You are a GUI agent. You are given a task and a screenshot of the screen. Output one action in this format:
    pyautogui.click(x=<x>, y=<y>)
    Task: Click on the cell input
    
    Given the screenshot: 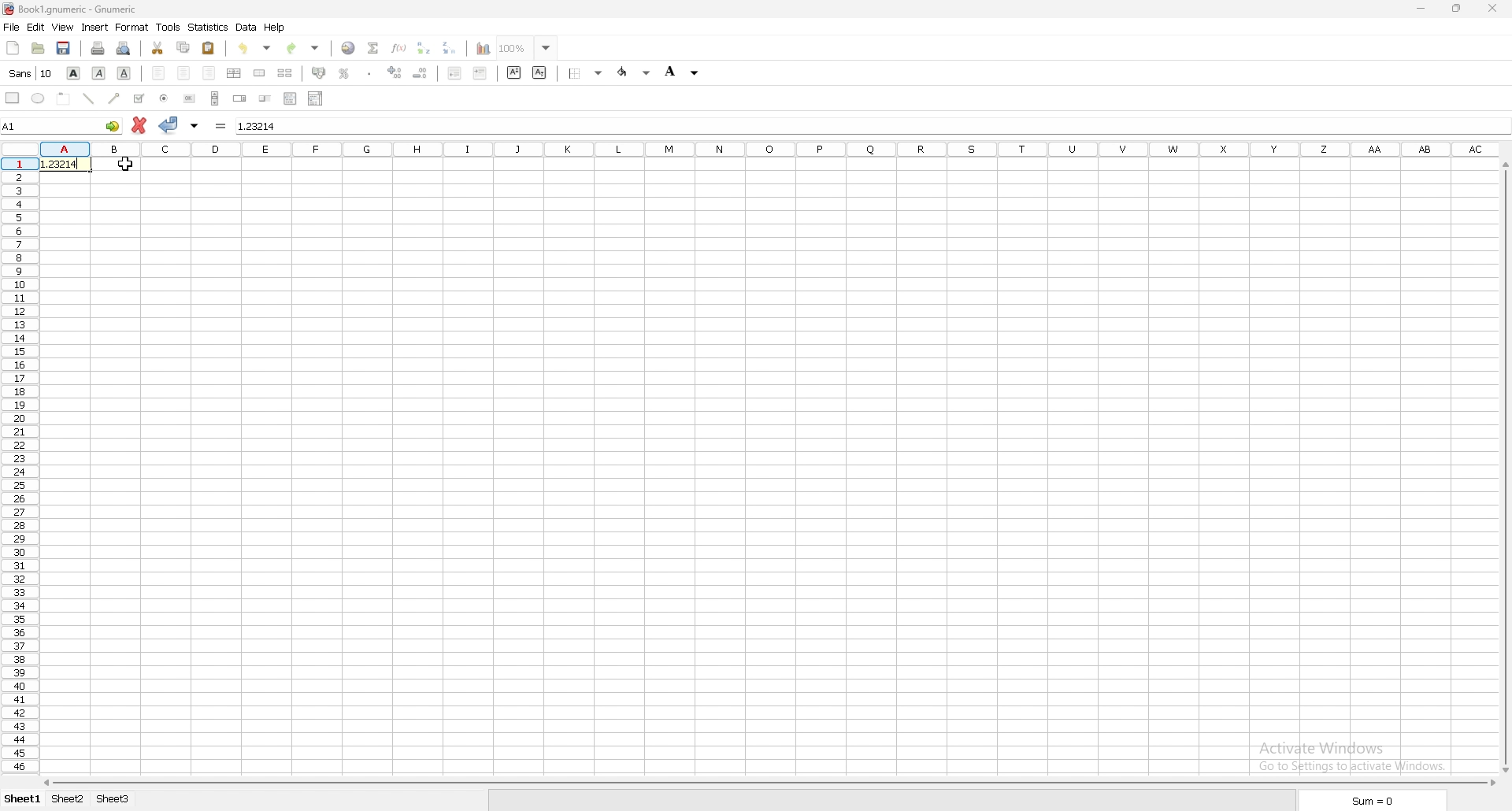 What is the action you would take?
    pyautogui.click(x=871, y=124)
    